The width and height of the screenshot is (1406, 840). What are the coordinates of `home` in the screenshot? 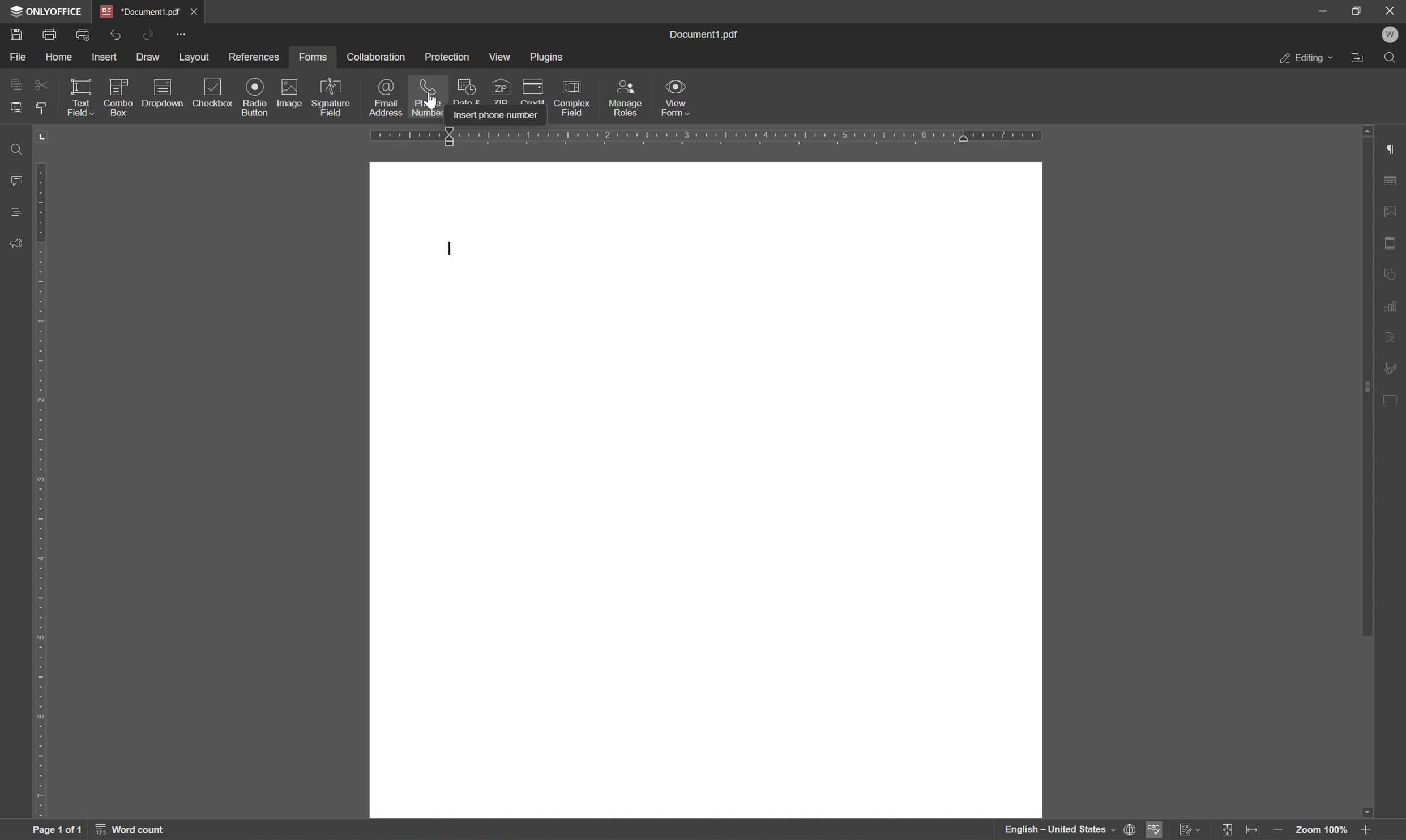 It's located at (58, 59).